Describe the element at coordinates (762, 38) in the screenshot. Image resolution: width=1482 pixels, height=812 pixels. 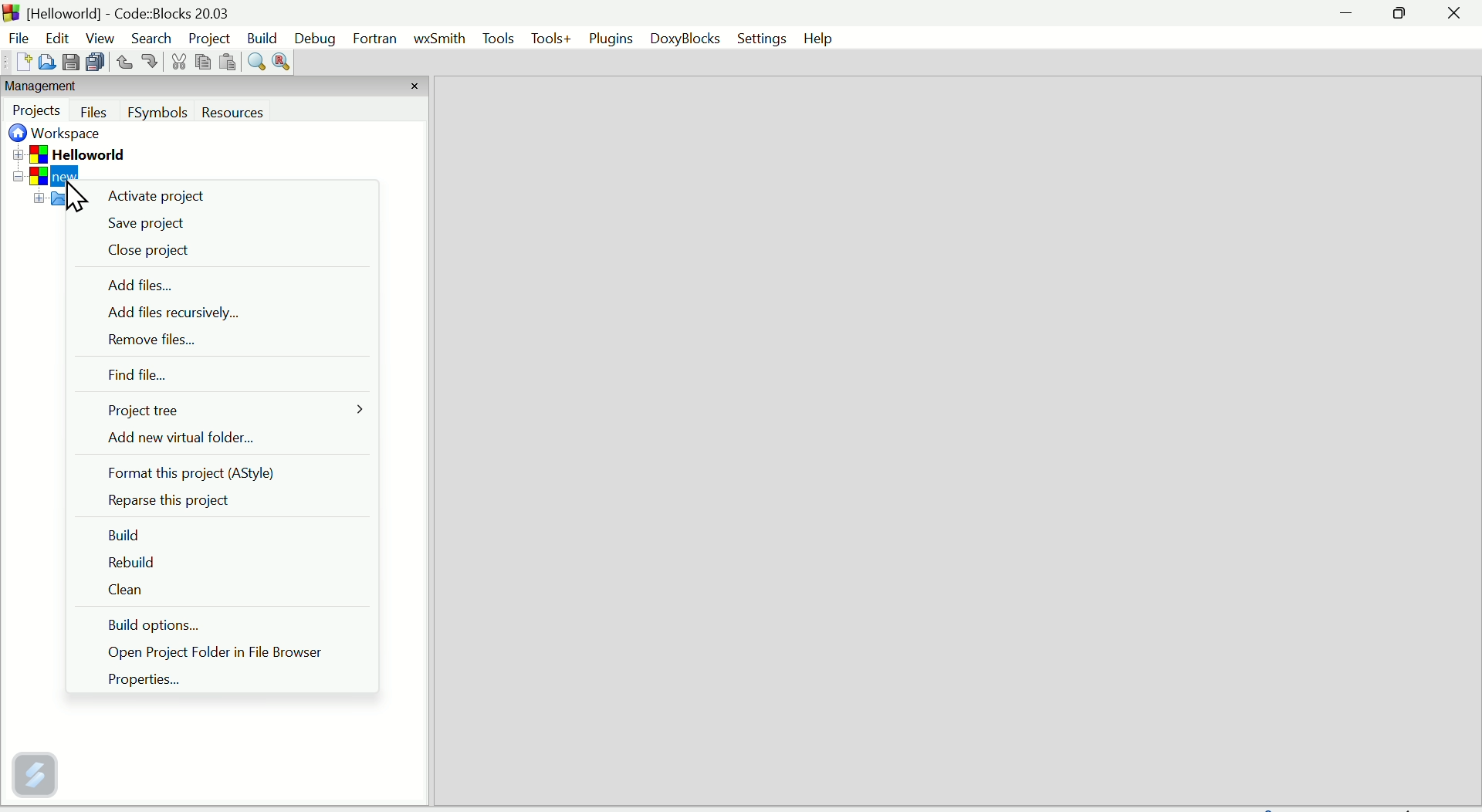
I see `Settings` at that location.